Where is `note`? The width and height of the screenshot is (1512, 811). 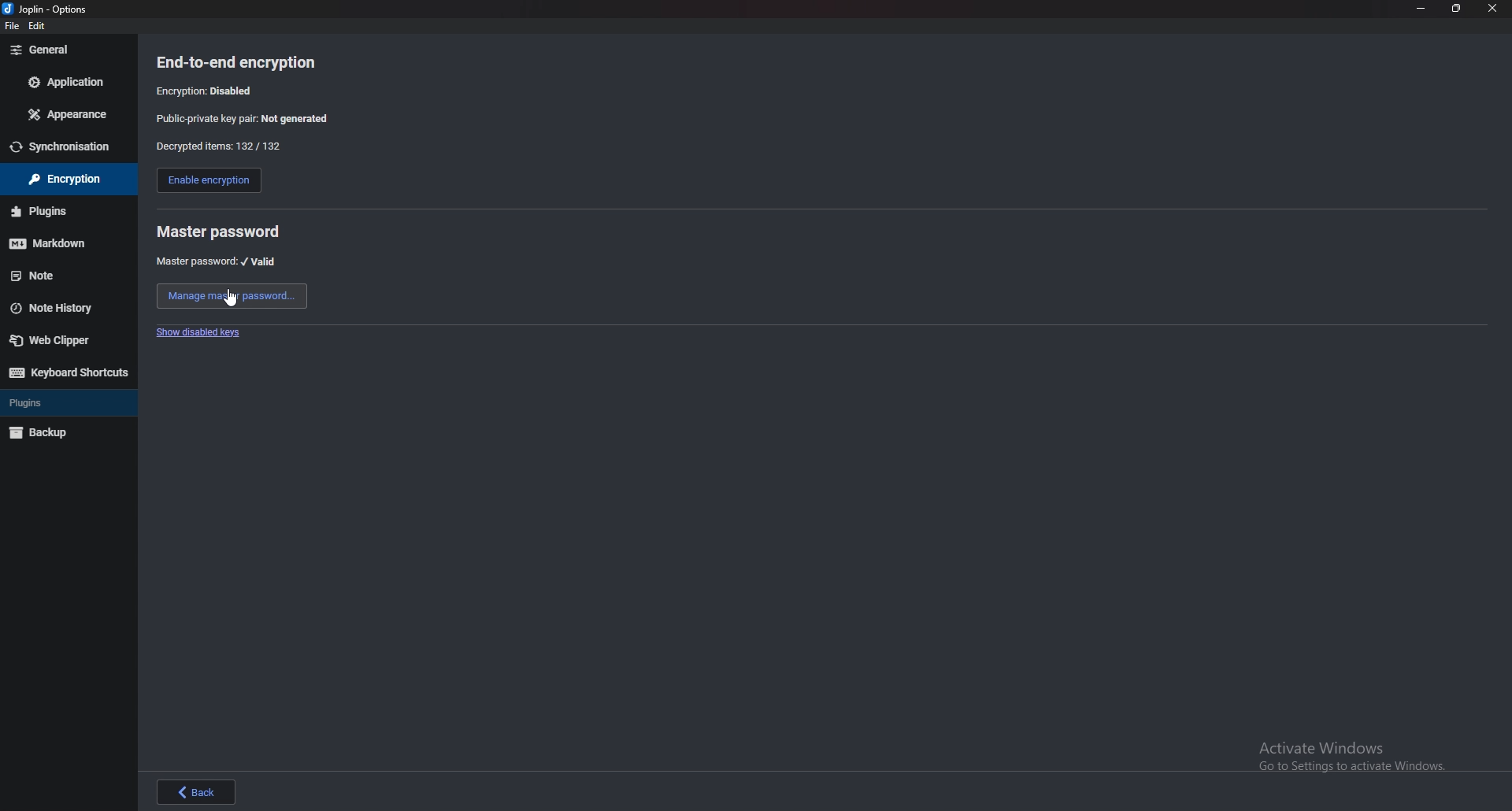 note is located at coordinates (63, 276).